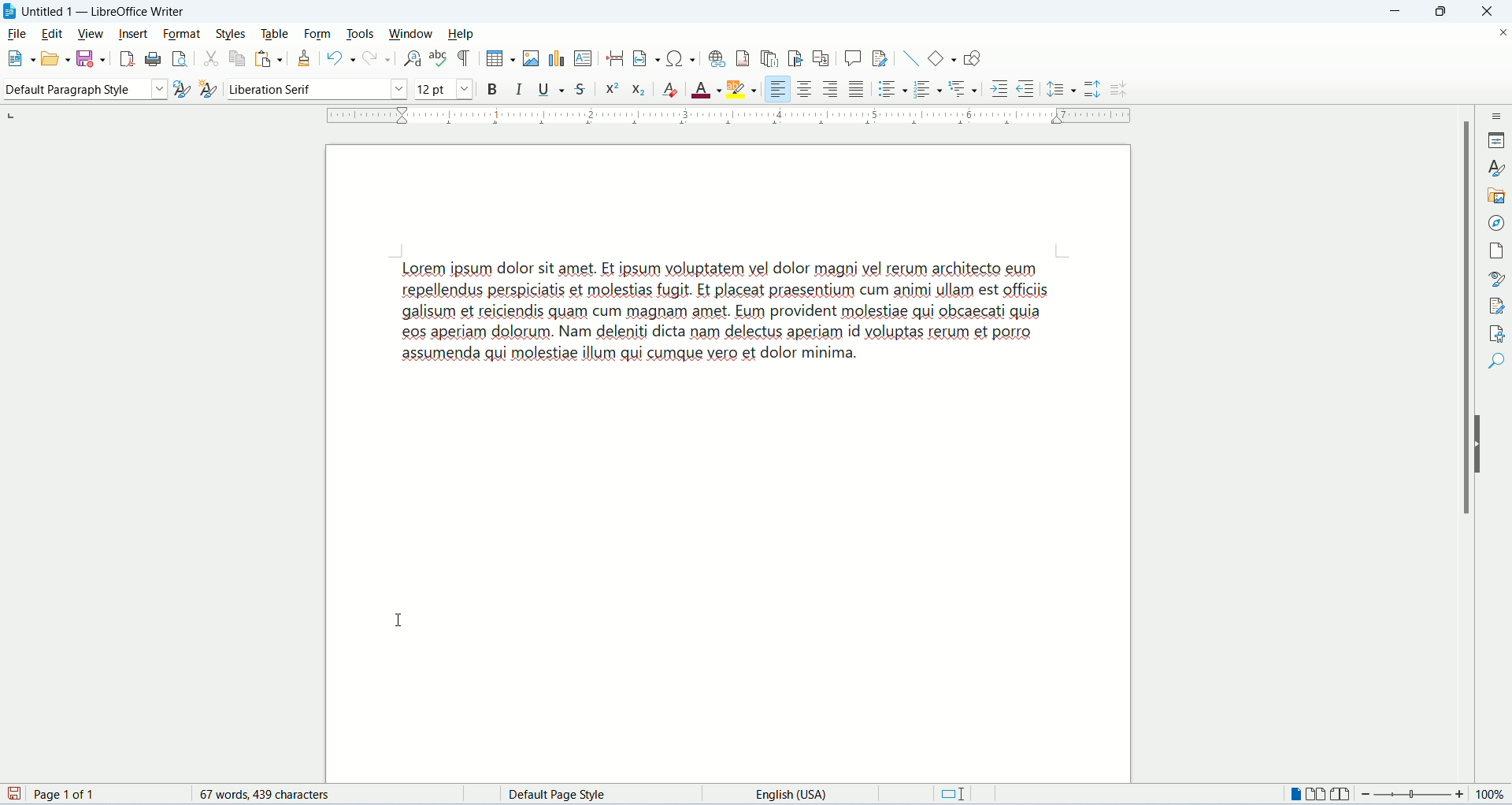  What do you see at coordinates (1498, 308) in the screenshot?
I see `manage changes` at bounding box center [1498, 308].